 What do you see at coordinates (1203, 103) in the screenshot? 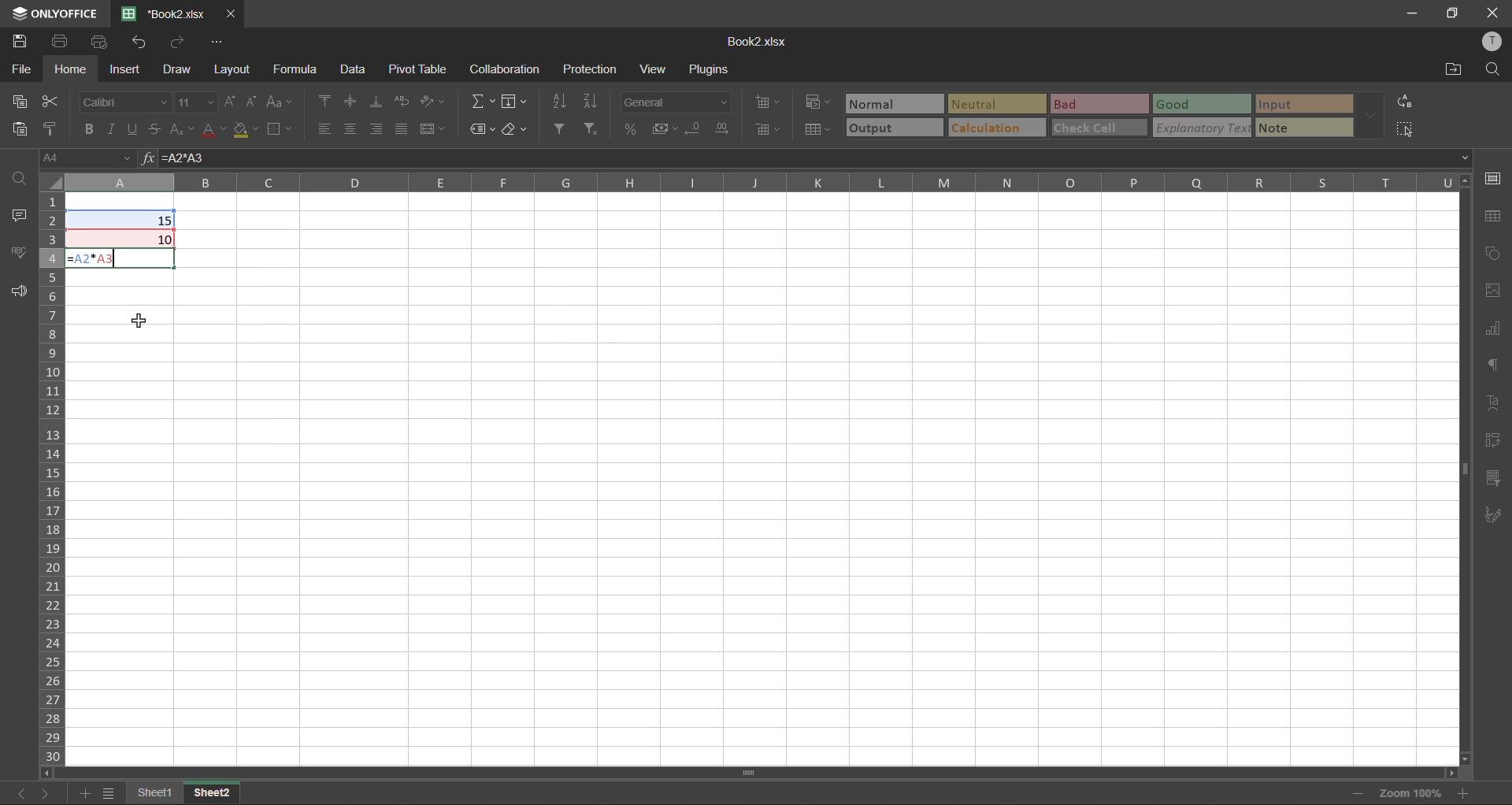
I see `good` at bounding box center [1203, 103].